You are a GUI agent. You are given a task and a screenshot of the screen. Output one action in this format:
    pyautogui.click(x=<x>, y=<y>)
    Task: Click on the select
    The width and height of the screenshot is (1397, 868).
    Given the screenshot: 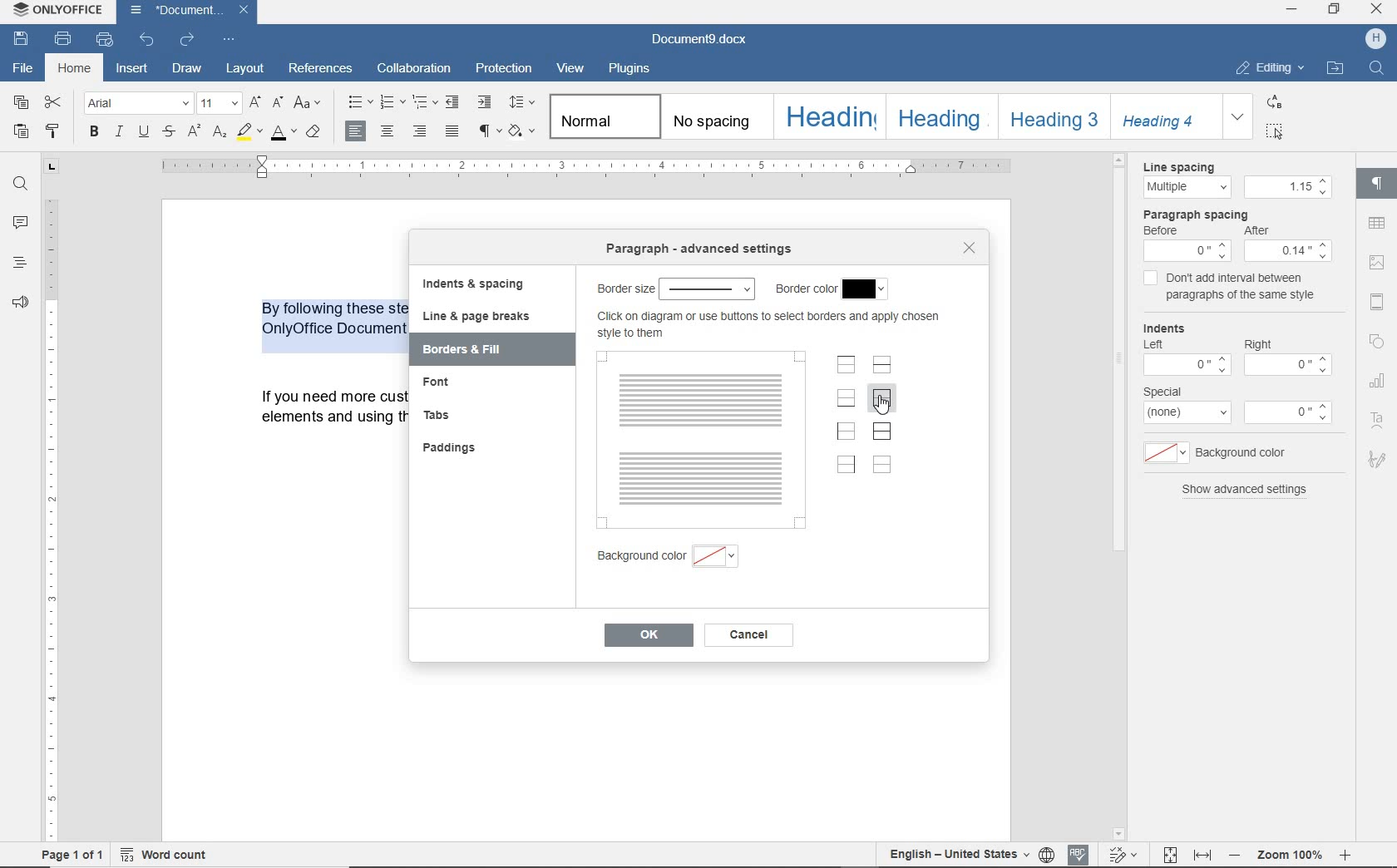 What is the action you would take?
    pyautogui.click(x=867, y=289)
    